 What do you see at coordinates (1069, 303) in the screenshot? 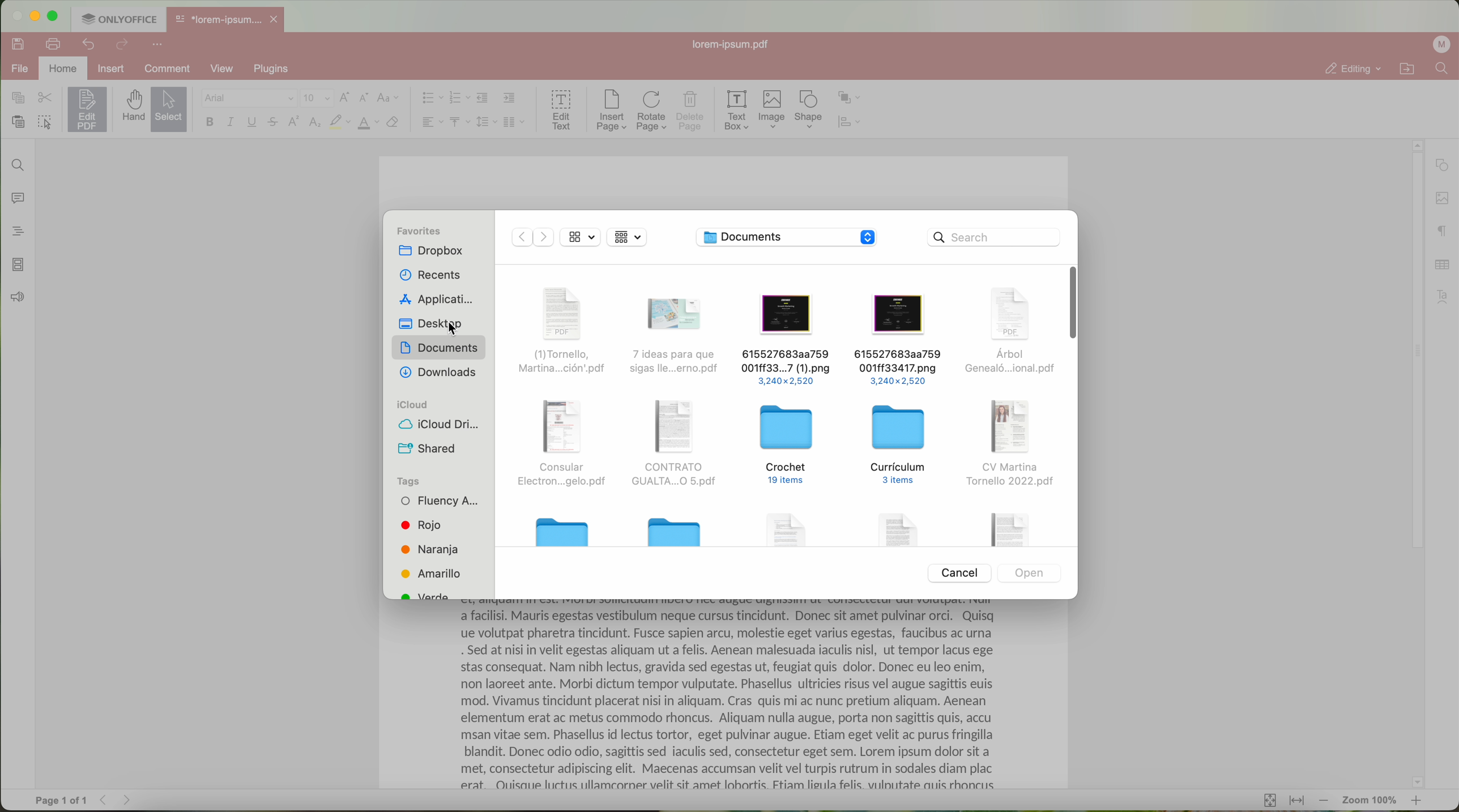
I see `scroll bar` at bounding box center [1069, 303].